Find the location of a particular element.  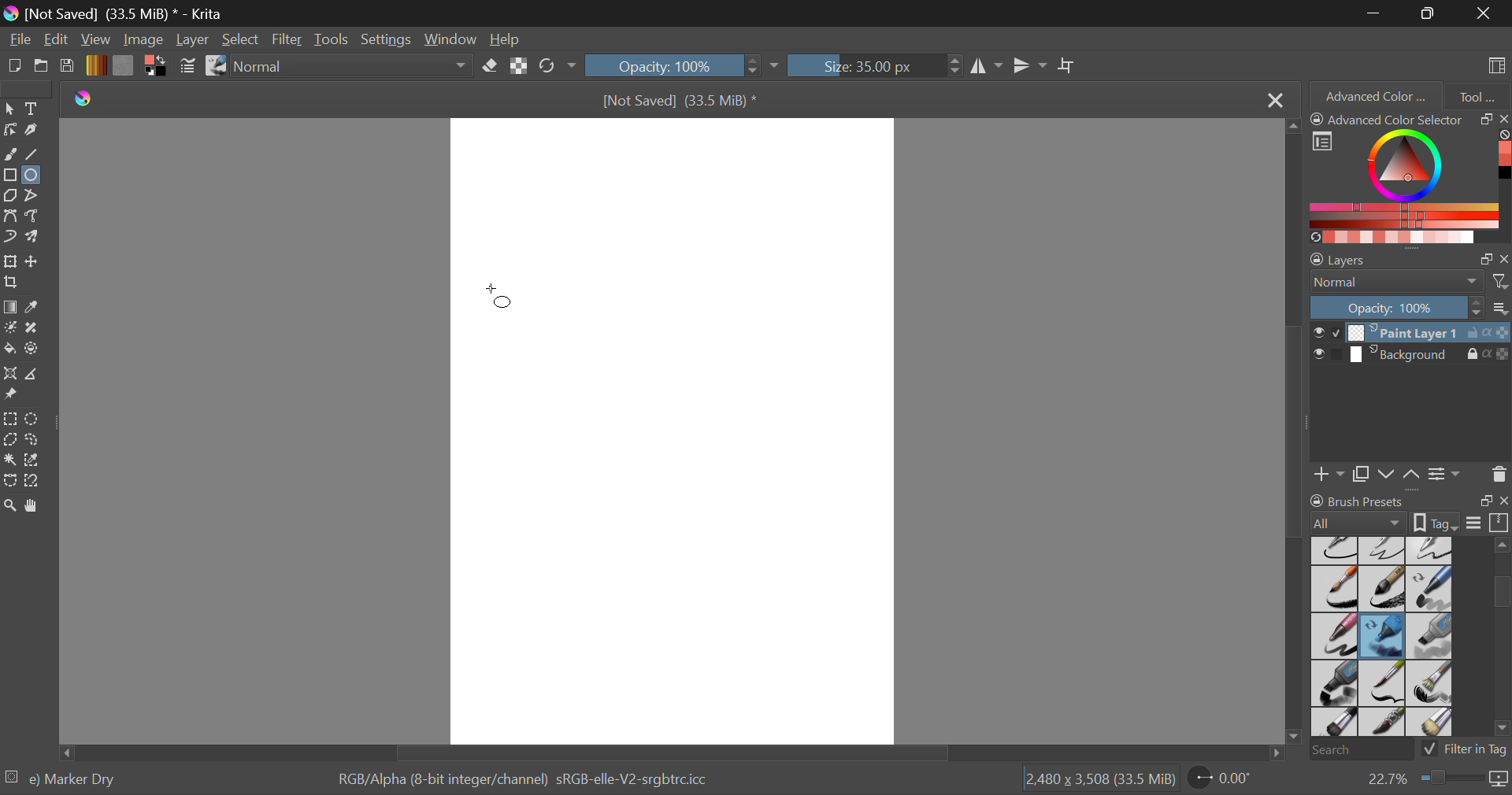

Size : 35px is located at coordinates (874, 65).